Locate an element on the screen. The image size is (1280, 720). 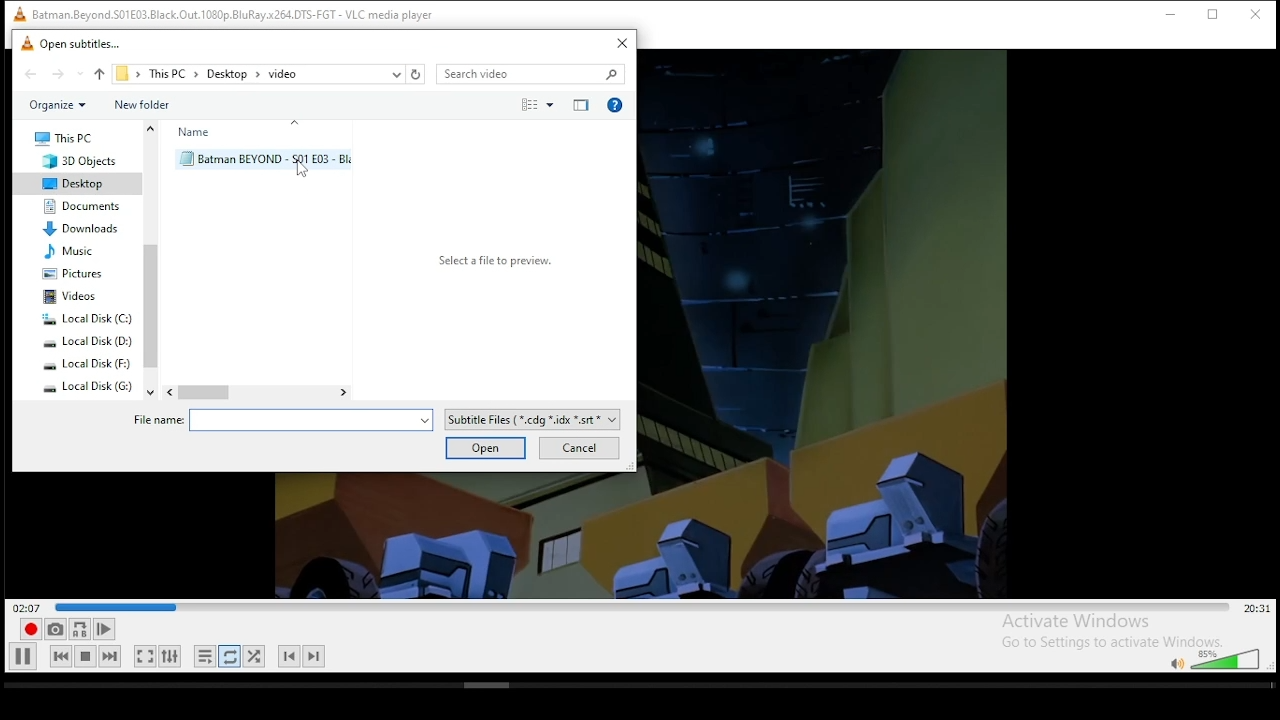
restore is located at coordinates (1215, 15).